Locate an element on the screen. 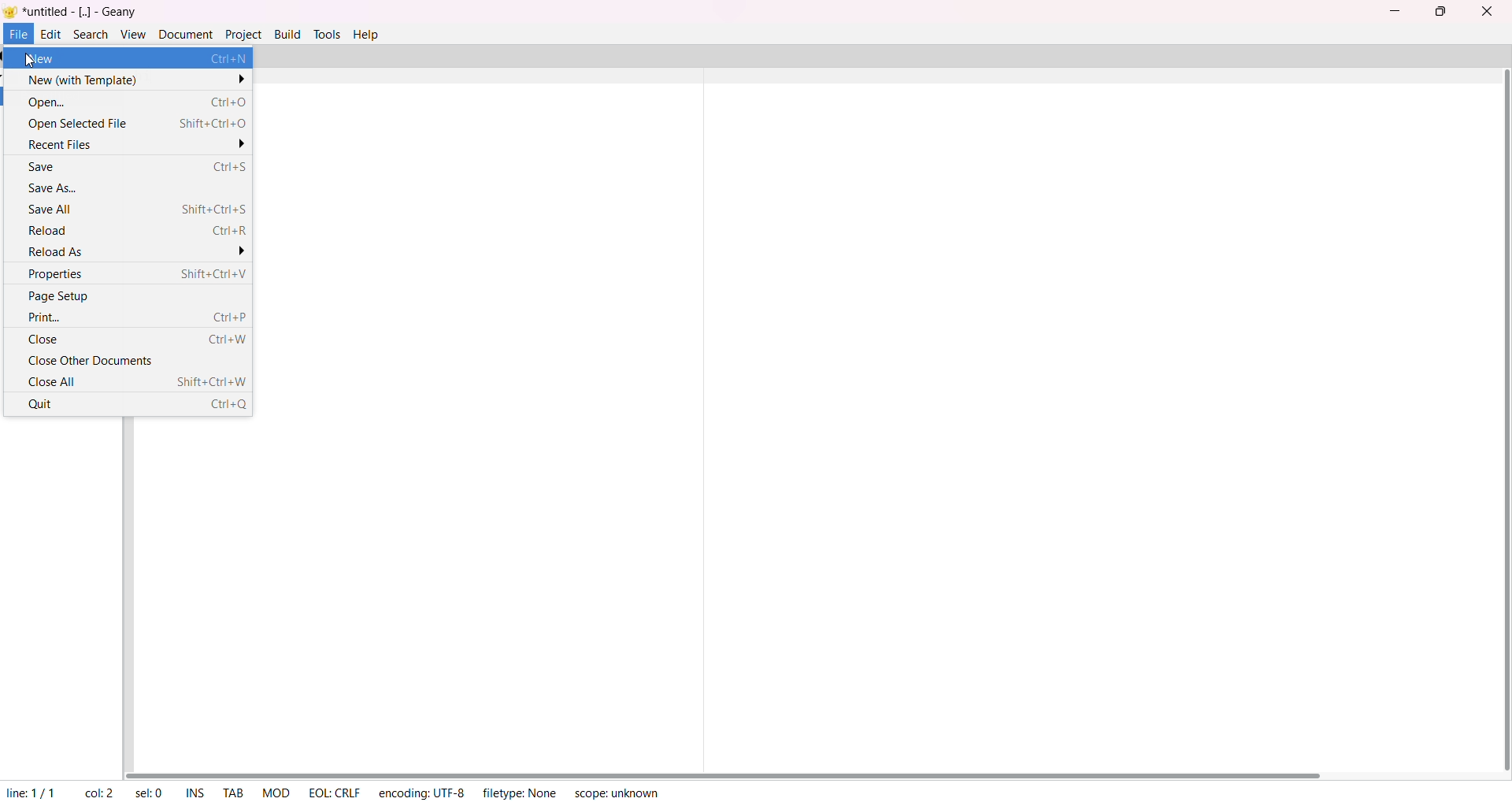  new (with Template) is located at coordinates (135, 79).